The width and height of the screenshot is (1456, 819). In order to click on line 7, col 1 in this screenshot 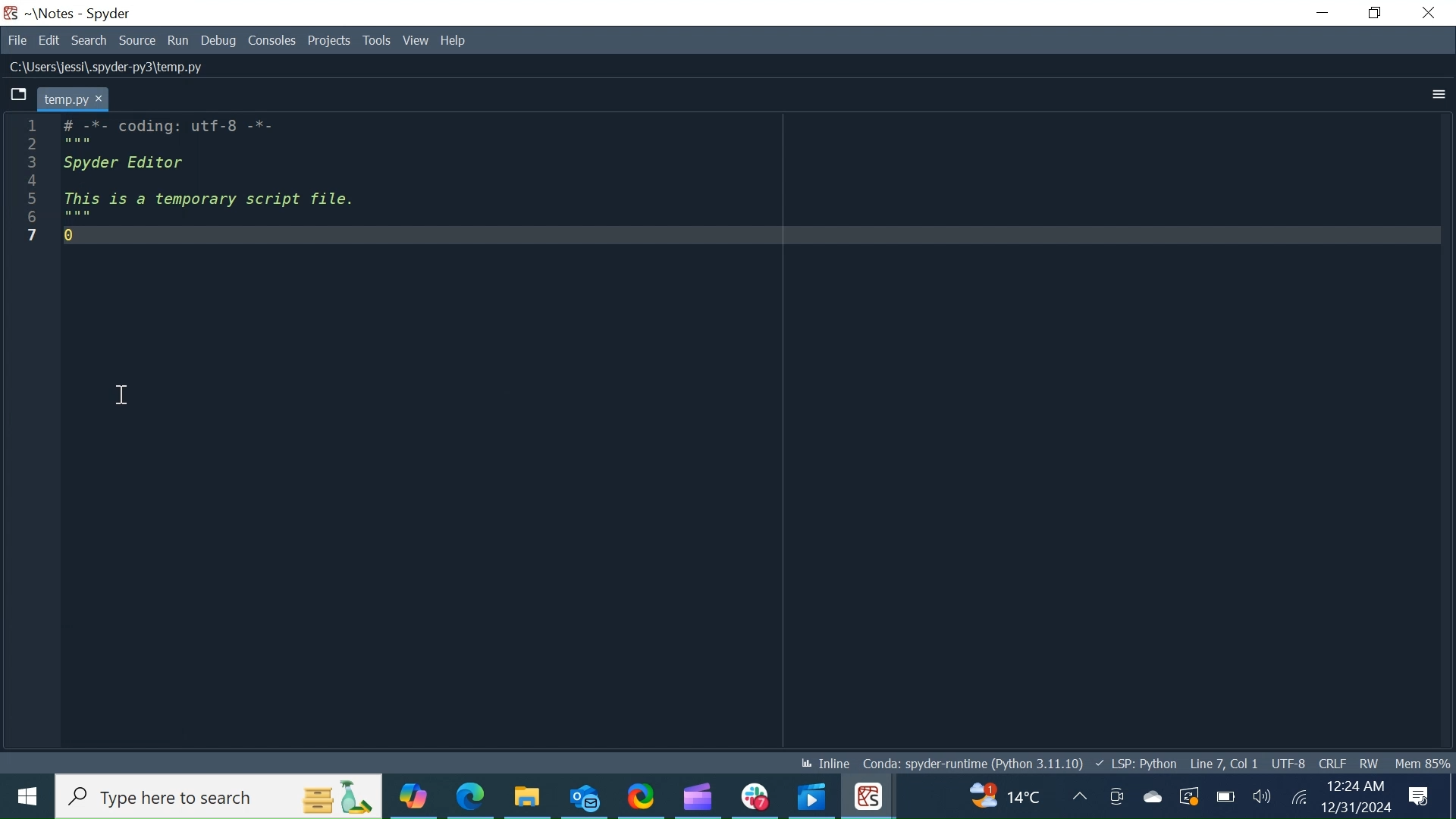, I will do `click(1225, 762)`.